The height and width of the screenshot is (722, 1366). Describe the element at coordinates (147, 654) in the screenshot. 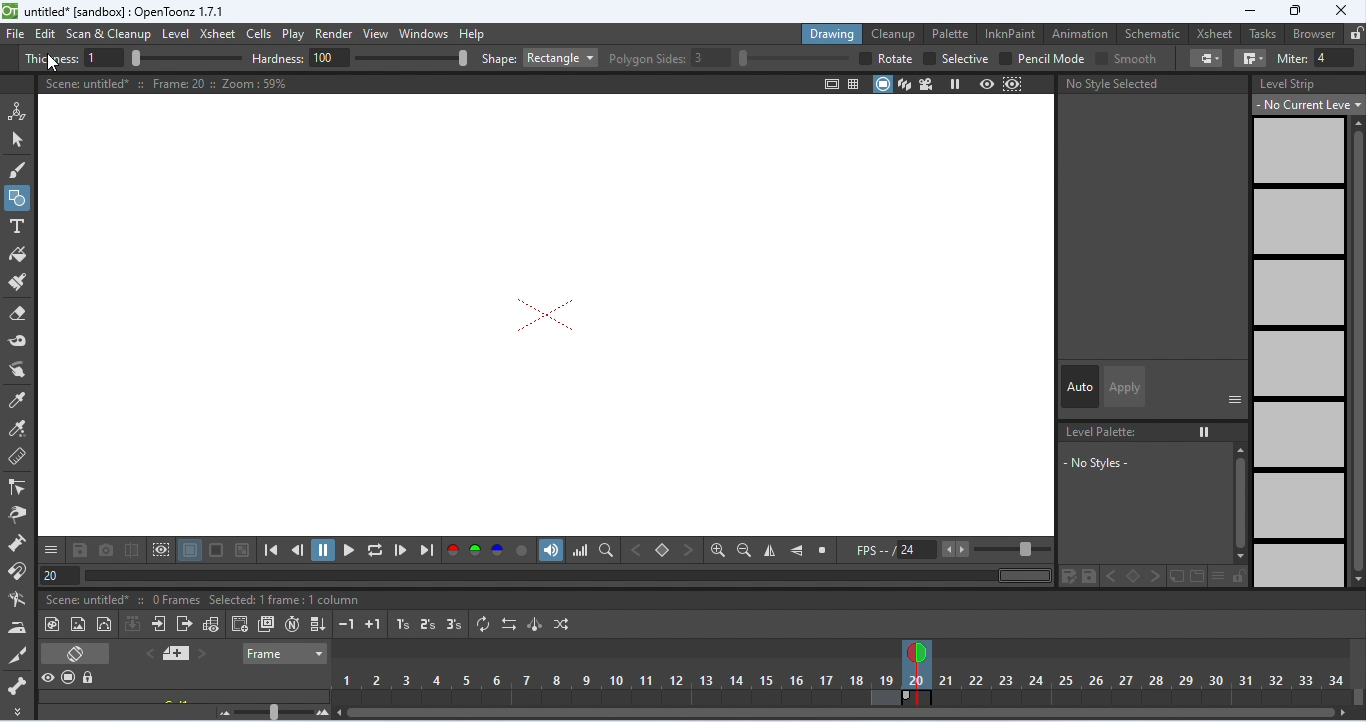

I see `previous` at that location.